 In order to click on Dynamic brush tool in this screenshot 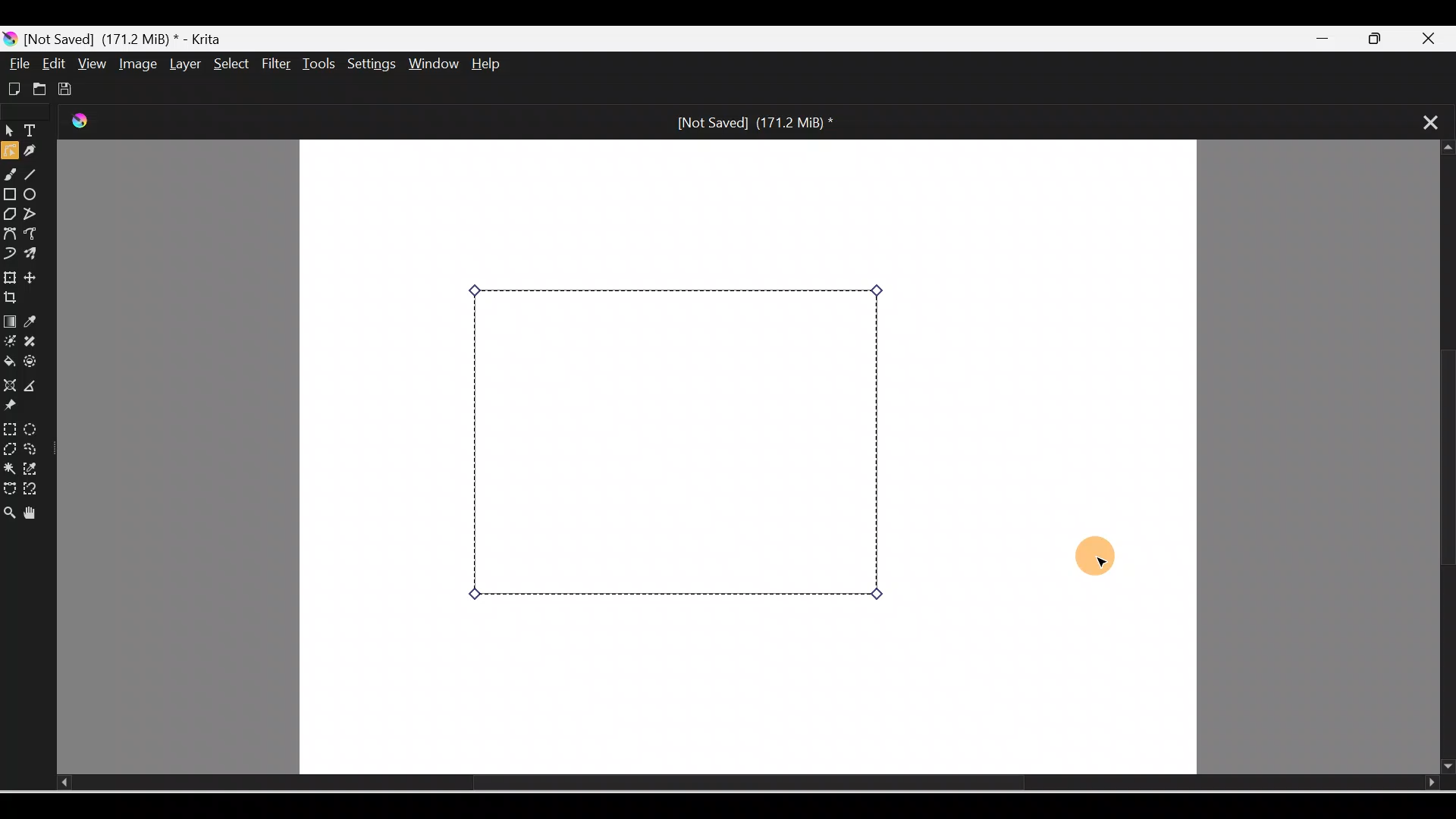, I will do `click(9, 252)`.